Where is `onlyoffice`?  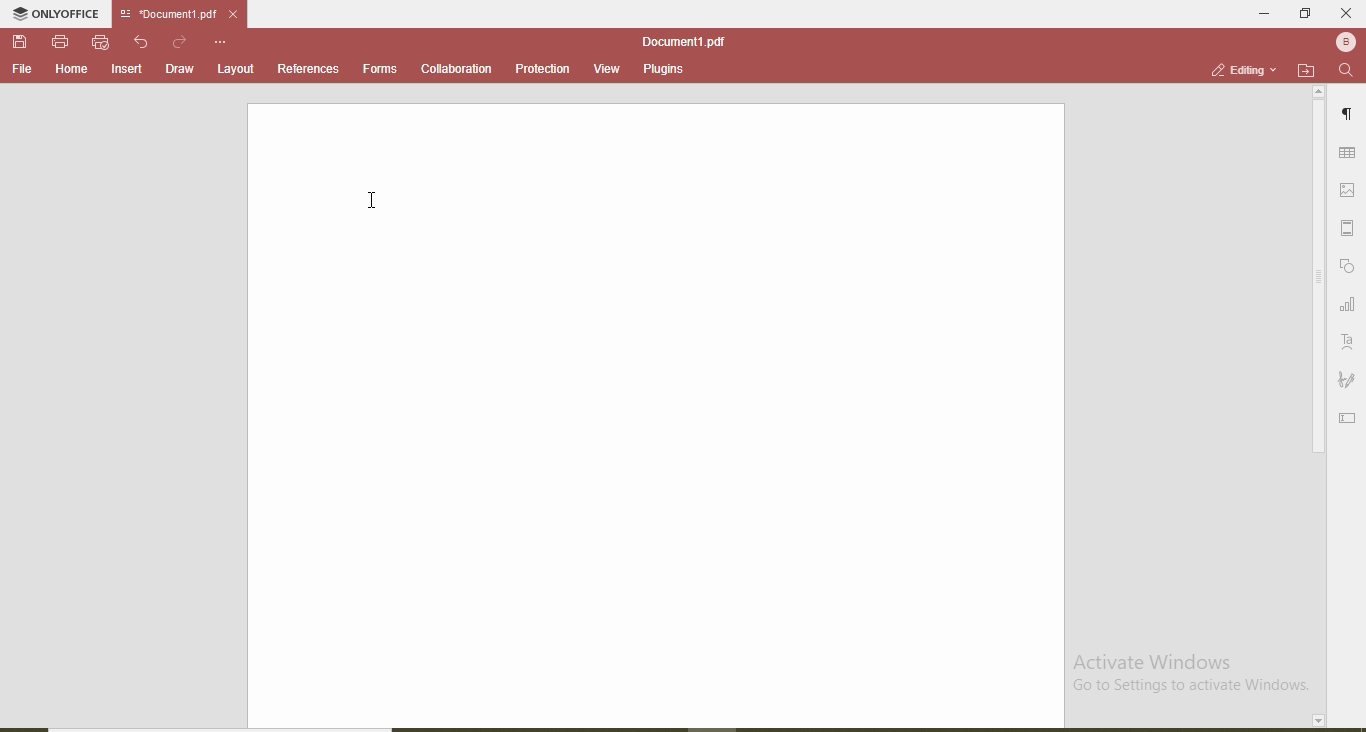
onlyoffice is located at coordinates (59, 16).